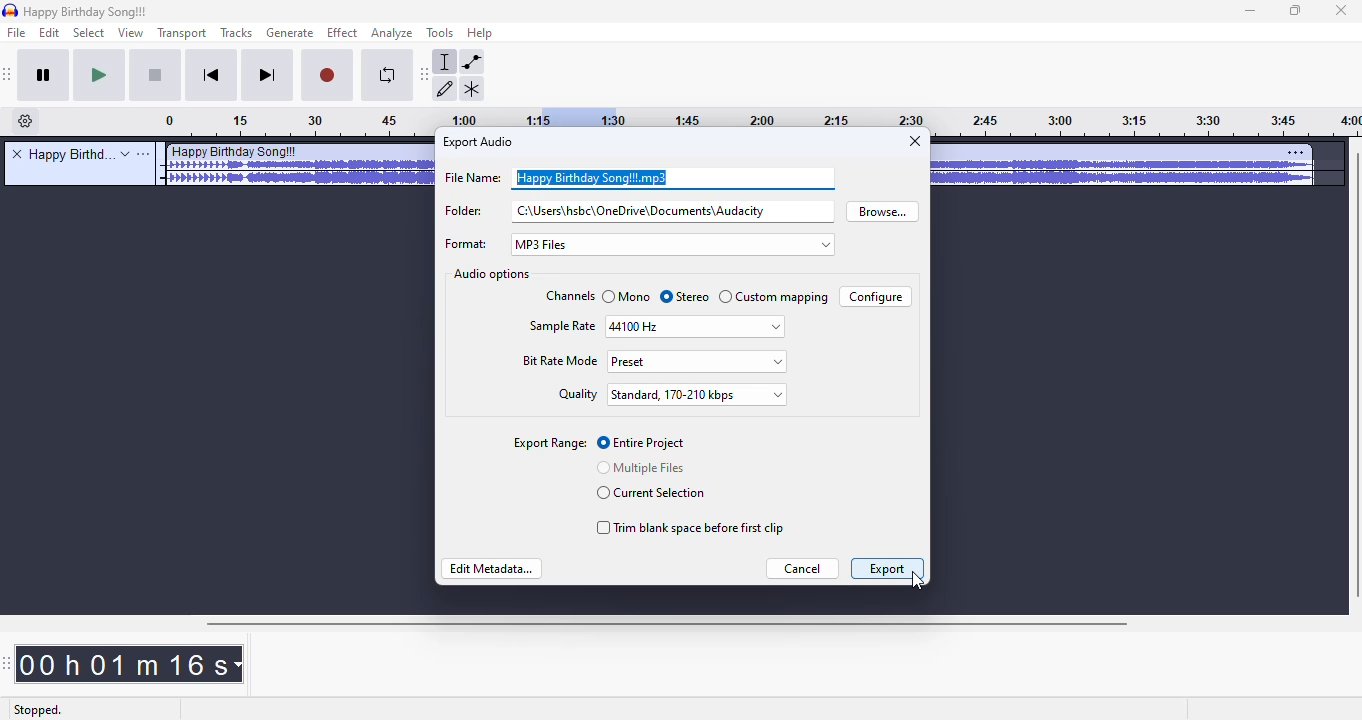  Describe the element at coordinates (268, 76) in the screenshot. I see `skip to end` at that location.